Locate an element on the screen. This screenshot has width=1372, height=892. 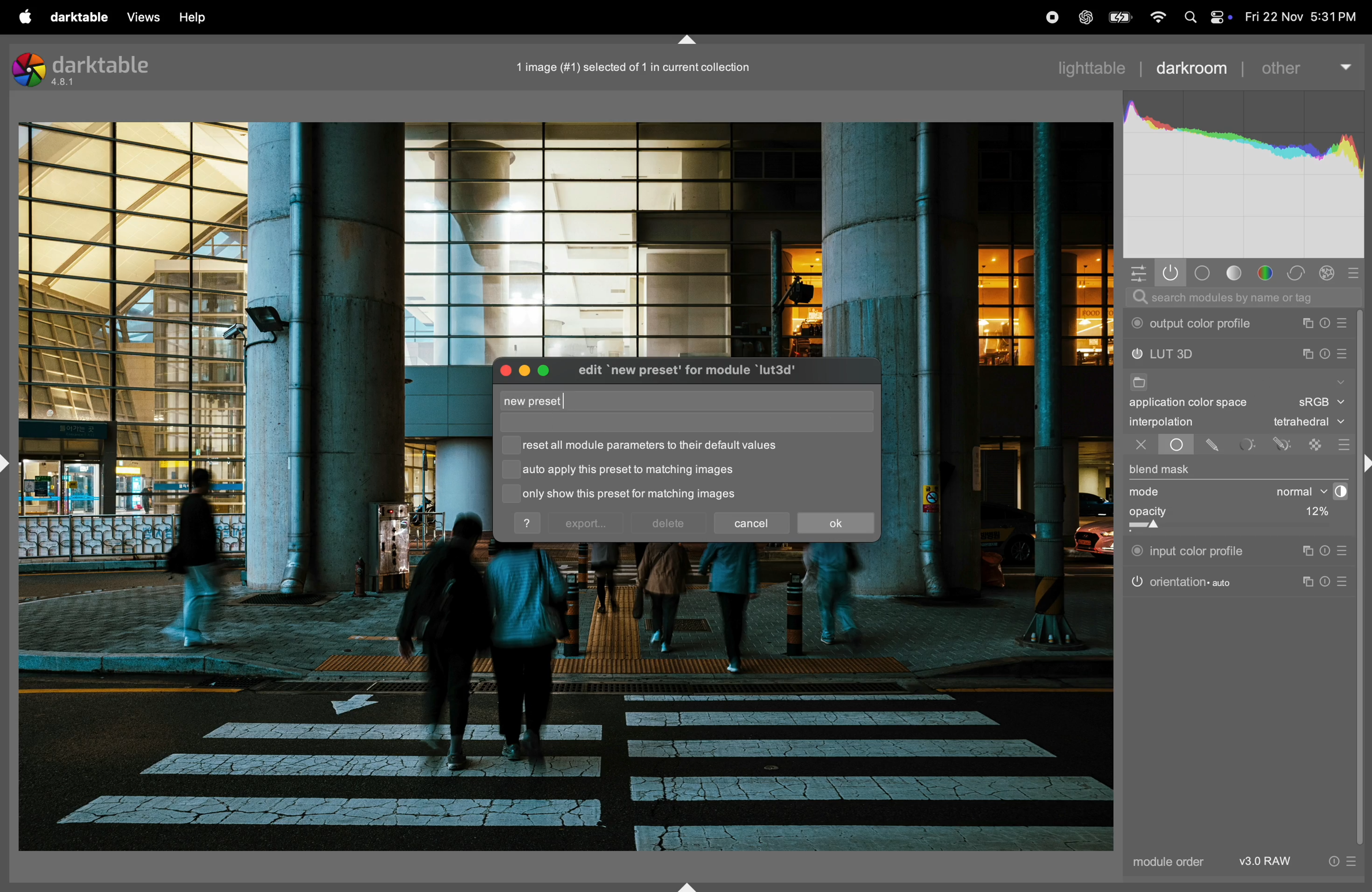
chatgpt is located at coordinates (1085, 18).